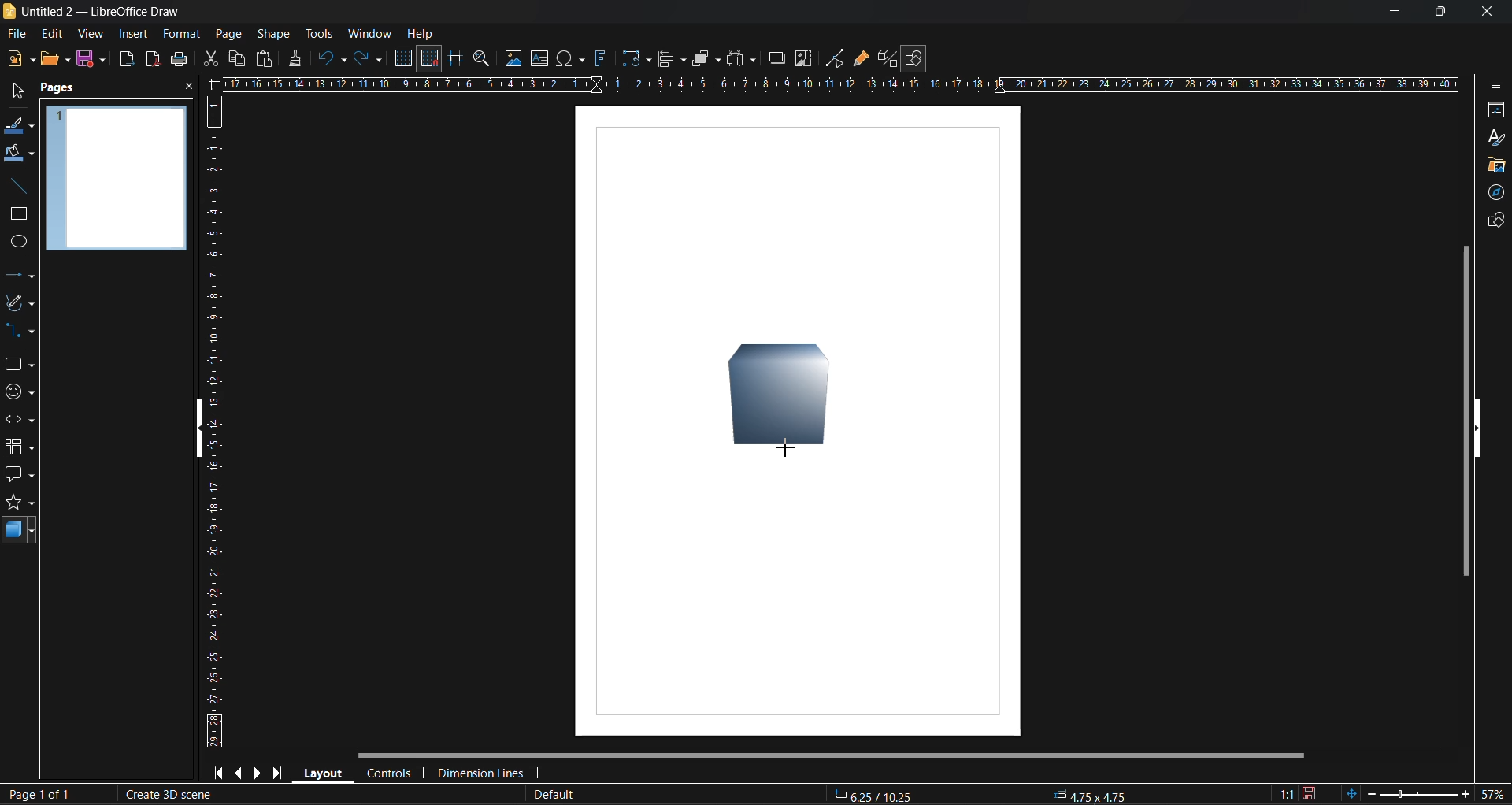 This screenshot has height=805, width=1512. Describe the element at coordinates (1492, 223) in the screenshot. I see `shapes` at that location.